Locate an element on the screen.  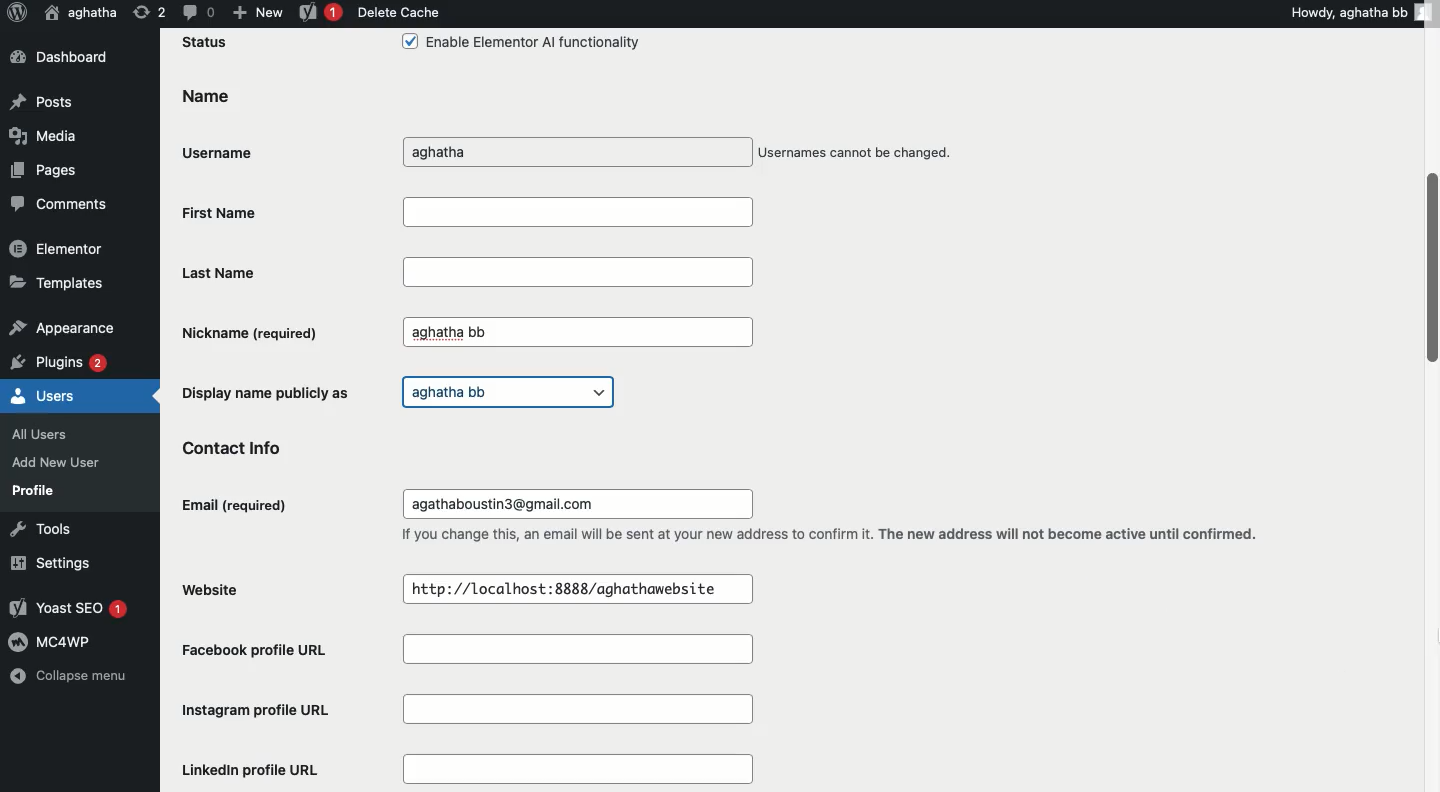
Comments is located at coordinates (60, 205).